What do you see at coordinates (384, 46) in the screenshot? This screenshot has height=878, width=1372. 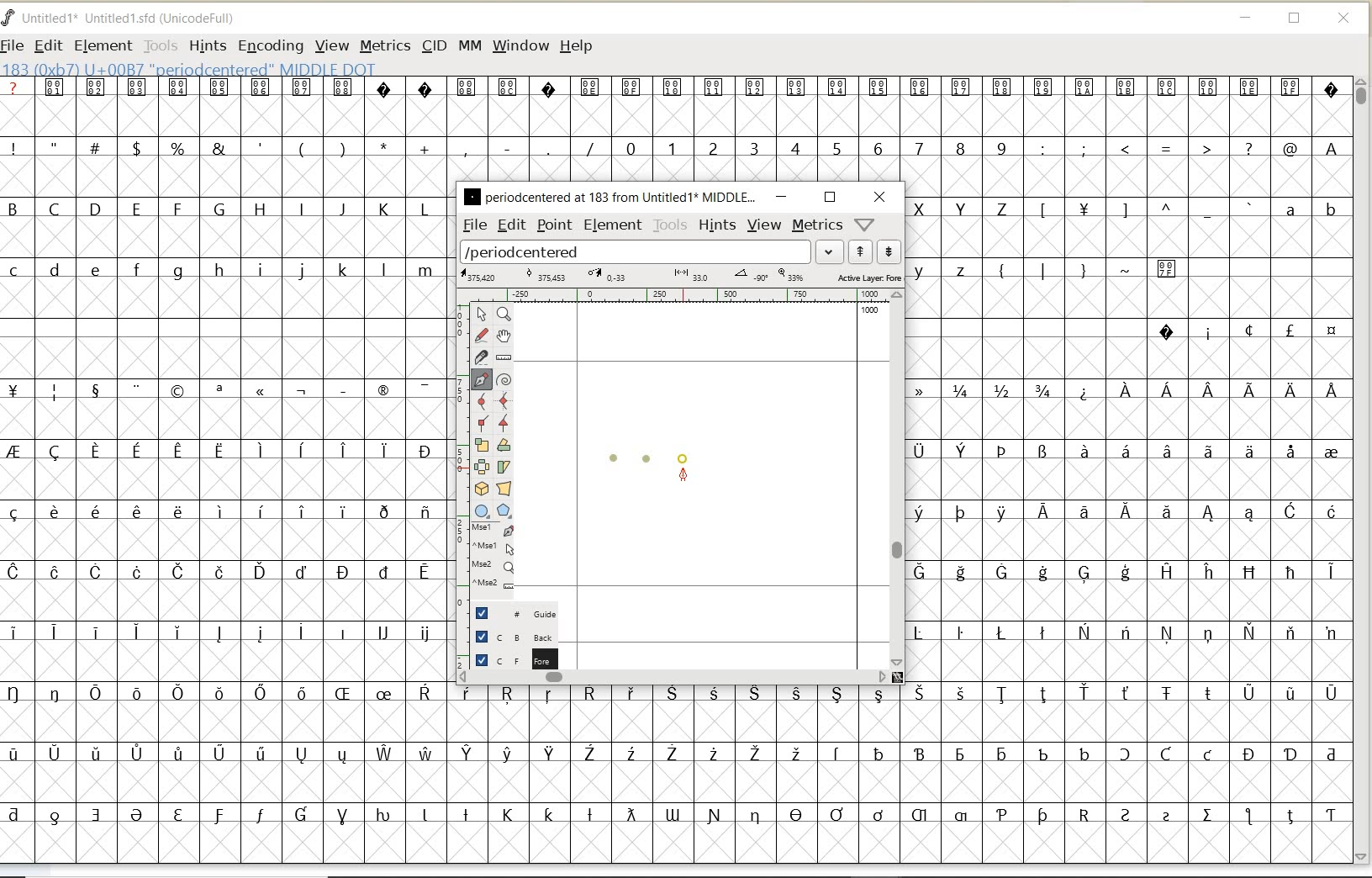 I see `METRICS` at bounding box center [384, 46].